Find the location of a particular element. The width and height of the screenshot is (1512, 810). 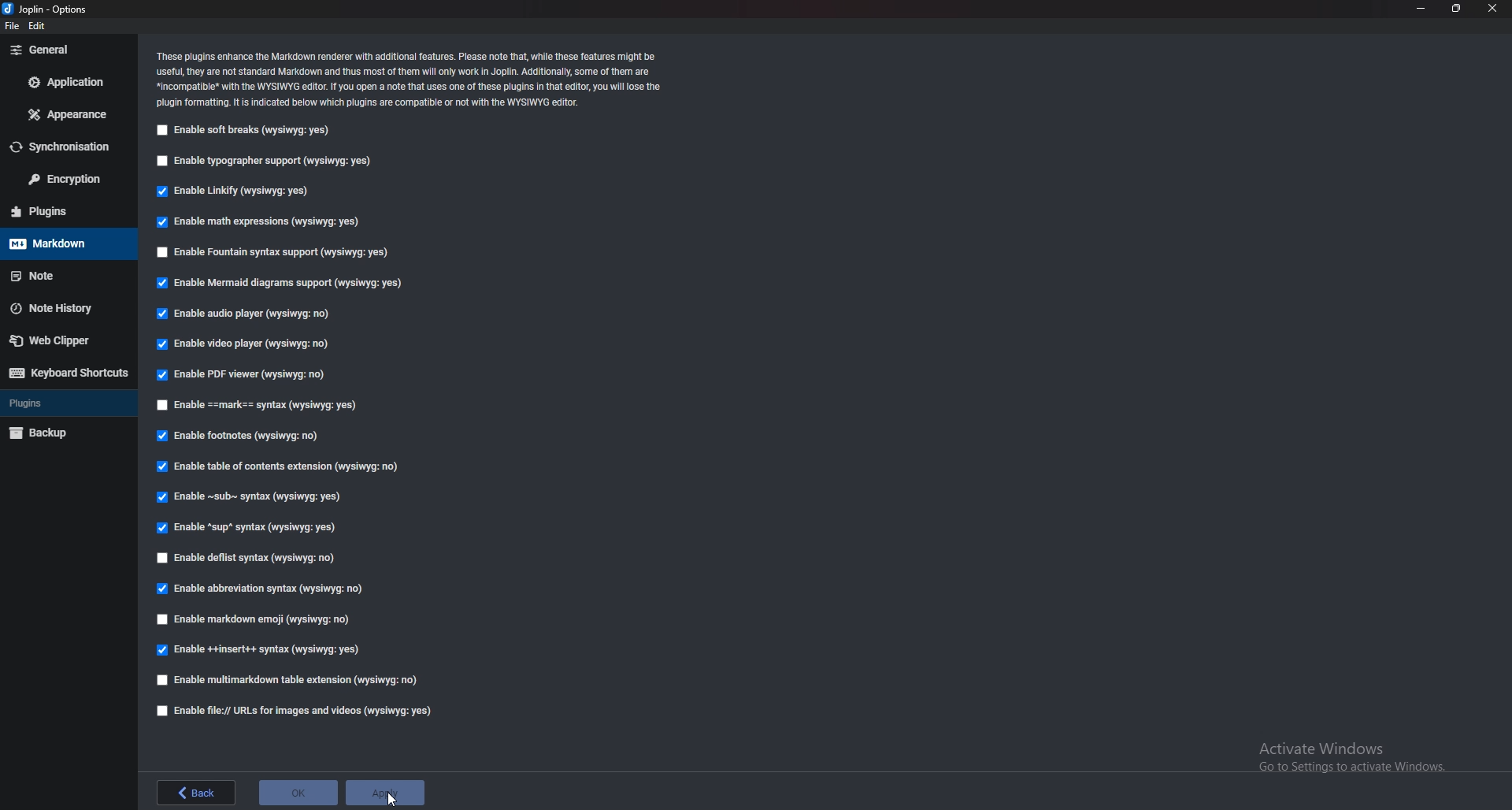

cursor is located at coordinates (389, 799).